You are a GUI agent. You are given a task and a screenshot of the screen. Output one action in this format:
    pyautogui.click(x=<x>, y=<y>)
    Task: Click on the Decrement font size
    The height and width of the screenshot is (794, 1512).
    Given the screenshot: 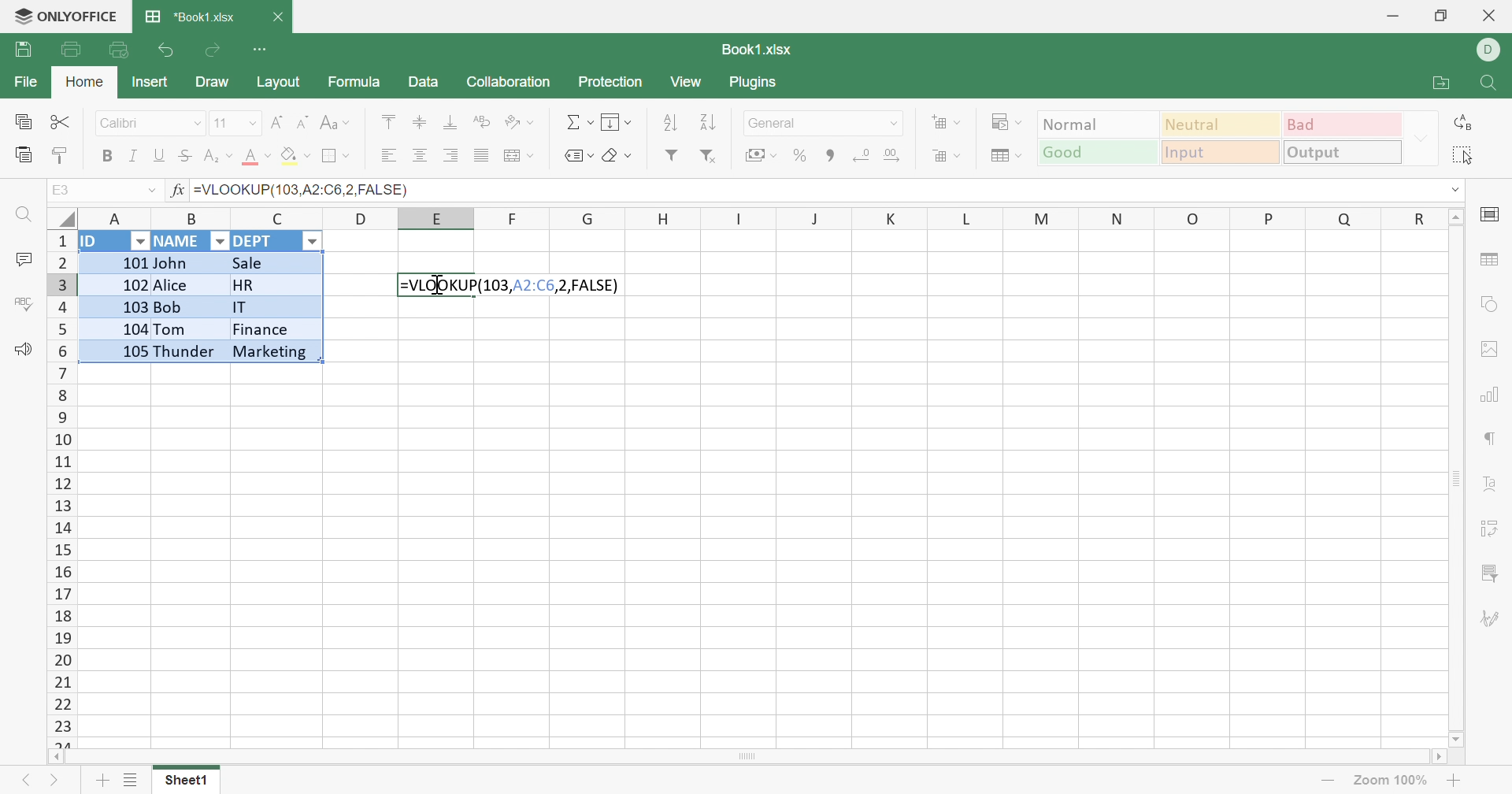 What is the action you would take?
    pyautogui.click(x=305, y=123)
    